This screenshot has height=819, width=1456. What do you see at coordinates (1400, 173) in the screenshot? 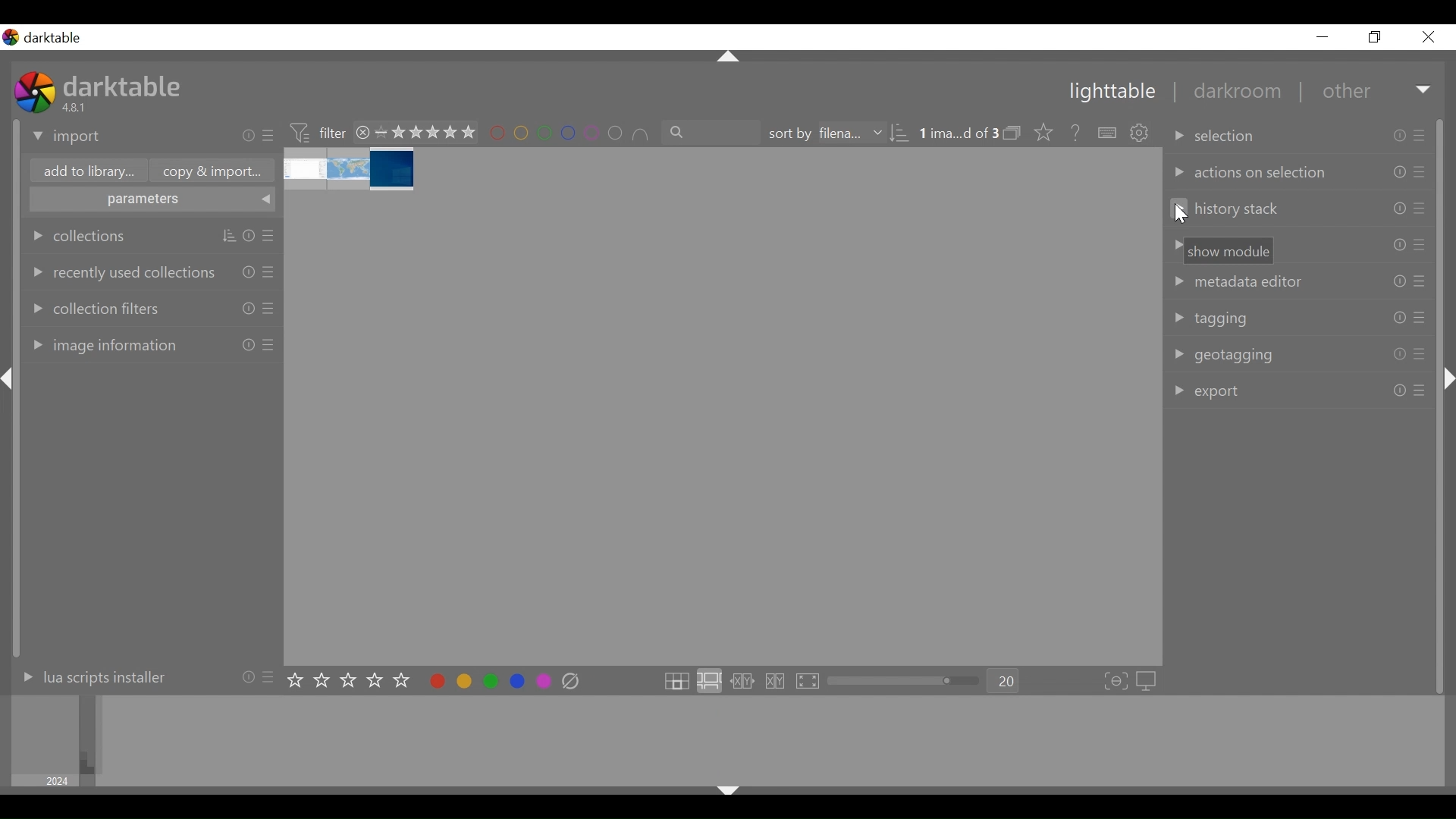
I see `info` at bounding box center [1400, 173].